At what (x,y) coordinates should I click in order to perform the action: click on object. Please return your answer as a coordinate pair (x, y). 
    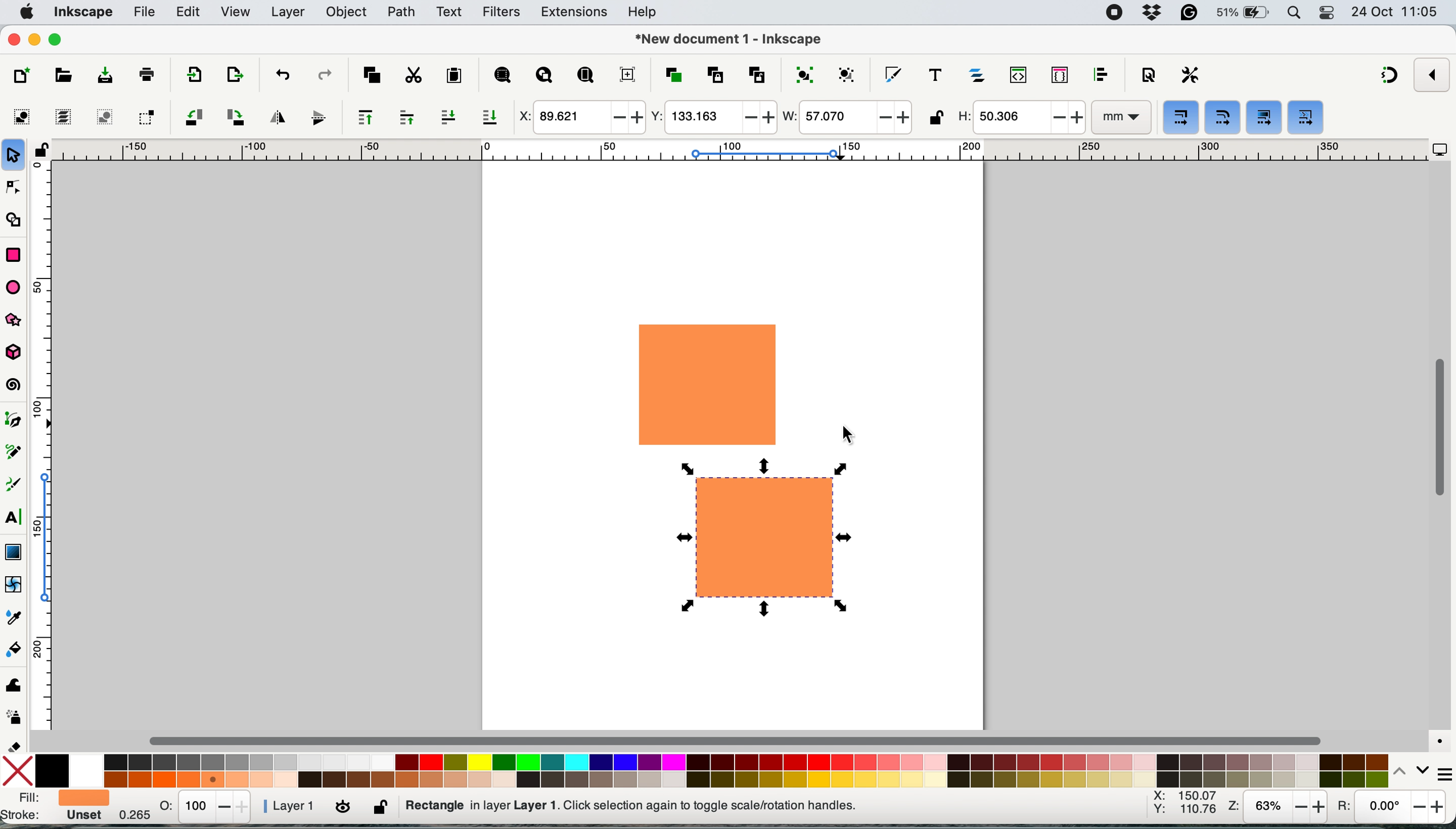
    Looking at the image, I should click on (349, 12).